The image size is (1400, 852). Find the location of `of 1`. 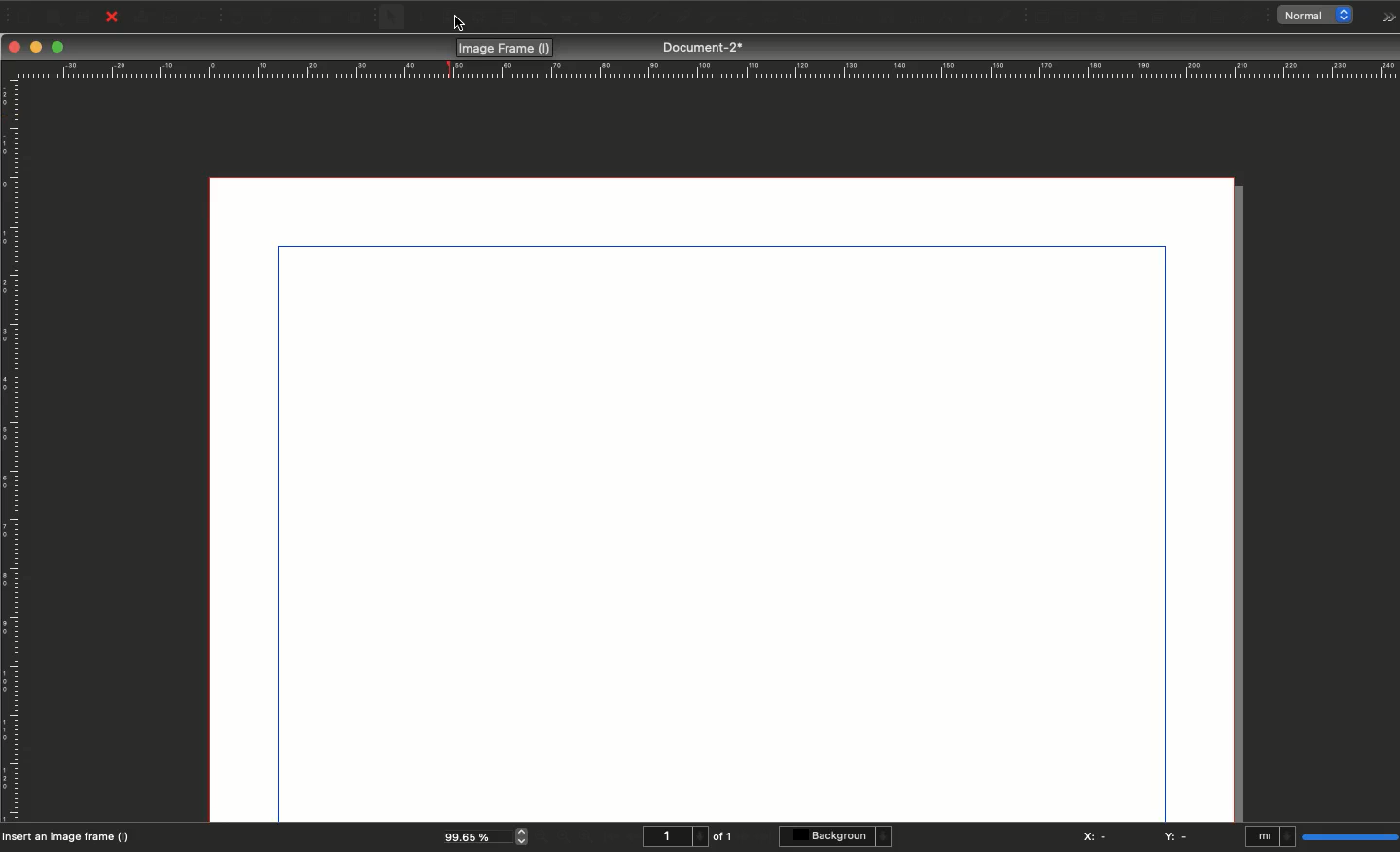

of 1 is located at coordinates (723, 836).